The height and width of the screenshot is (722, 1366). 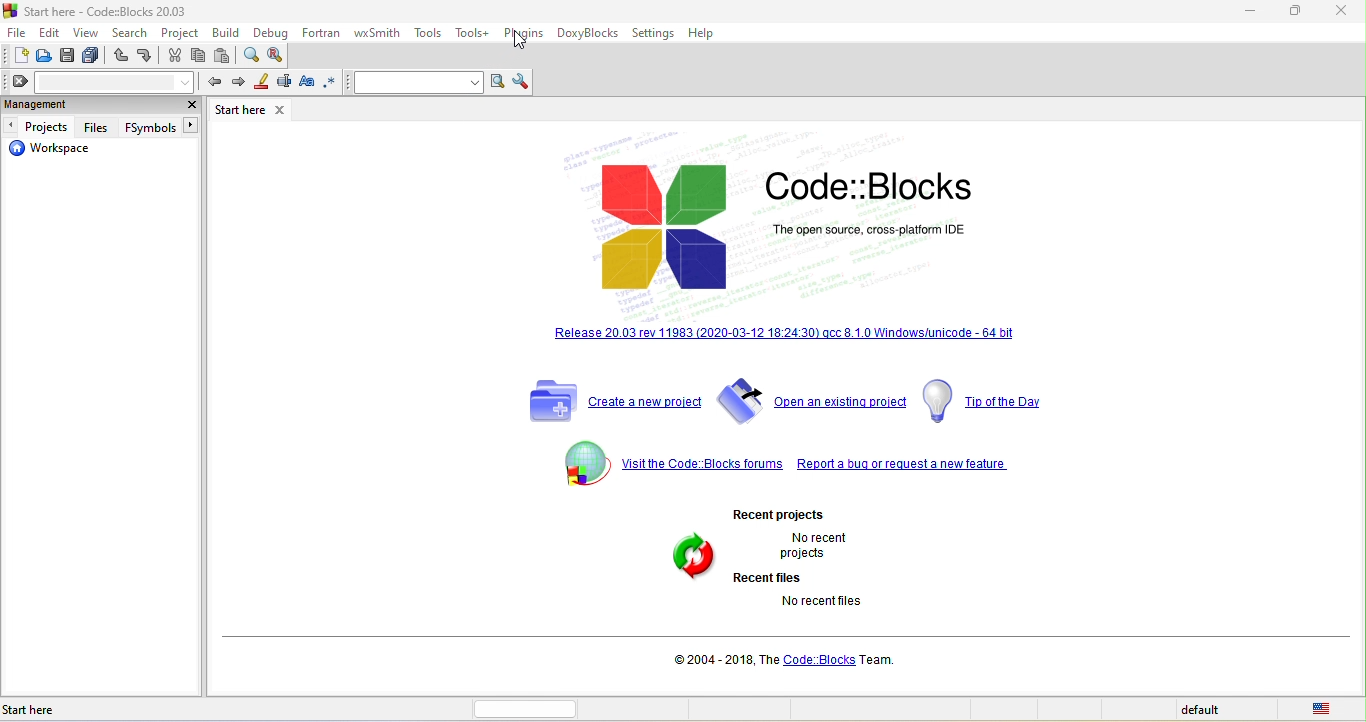 What do you see at coordinates (333, 82) in the screenshot?
I see `use regex` at bounding box center [333, 82].